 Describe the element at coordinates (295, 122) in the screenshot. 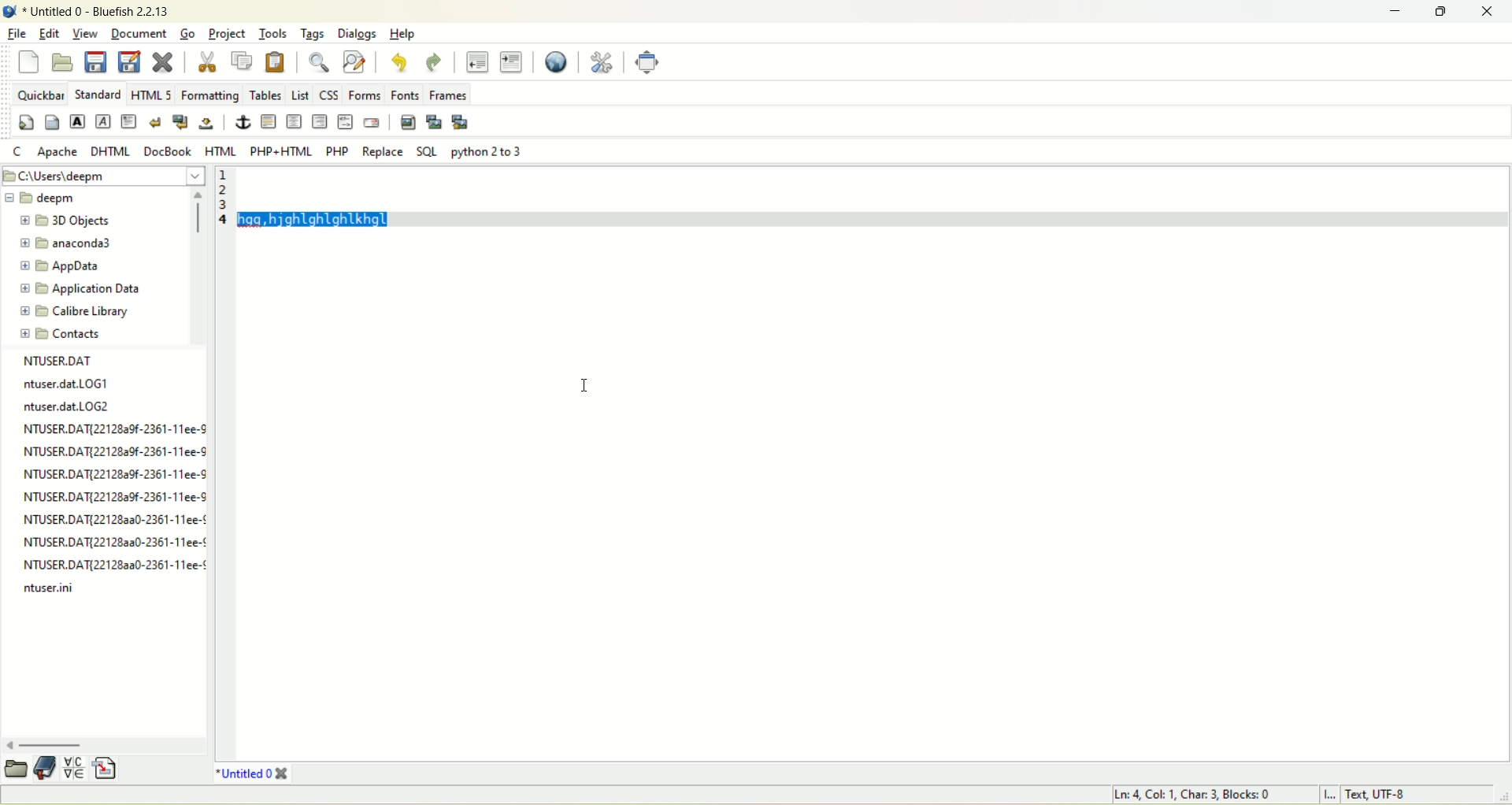

I see `center` at that location.